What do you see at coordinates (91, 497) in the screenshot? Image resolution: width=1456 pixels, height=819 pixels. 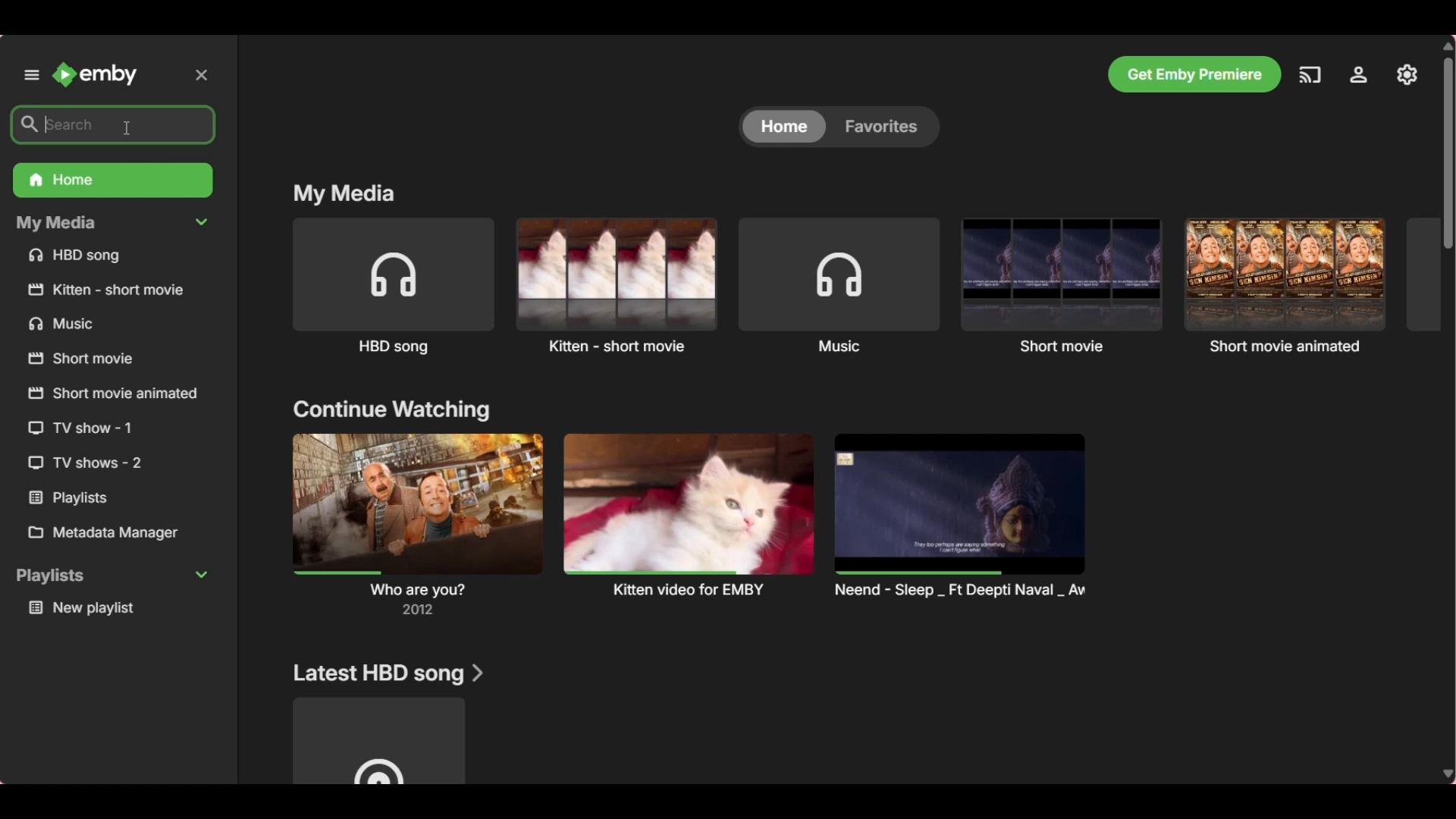 I see `` at bounding box center [91, 497].